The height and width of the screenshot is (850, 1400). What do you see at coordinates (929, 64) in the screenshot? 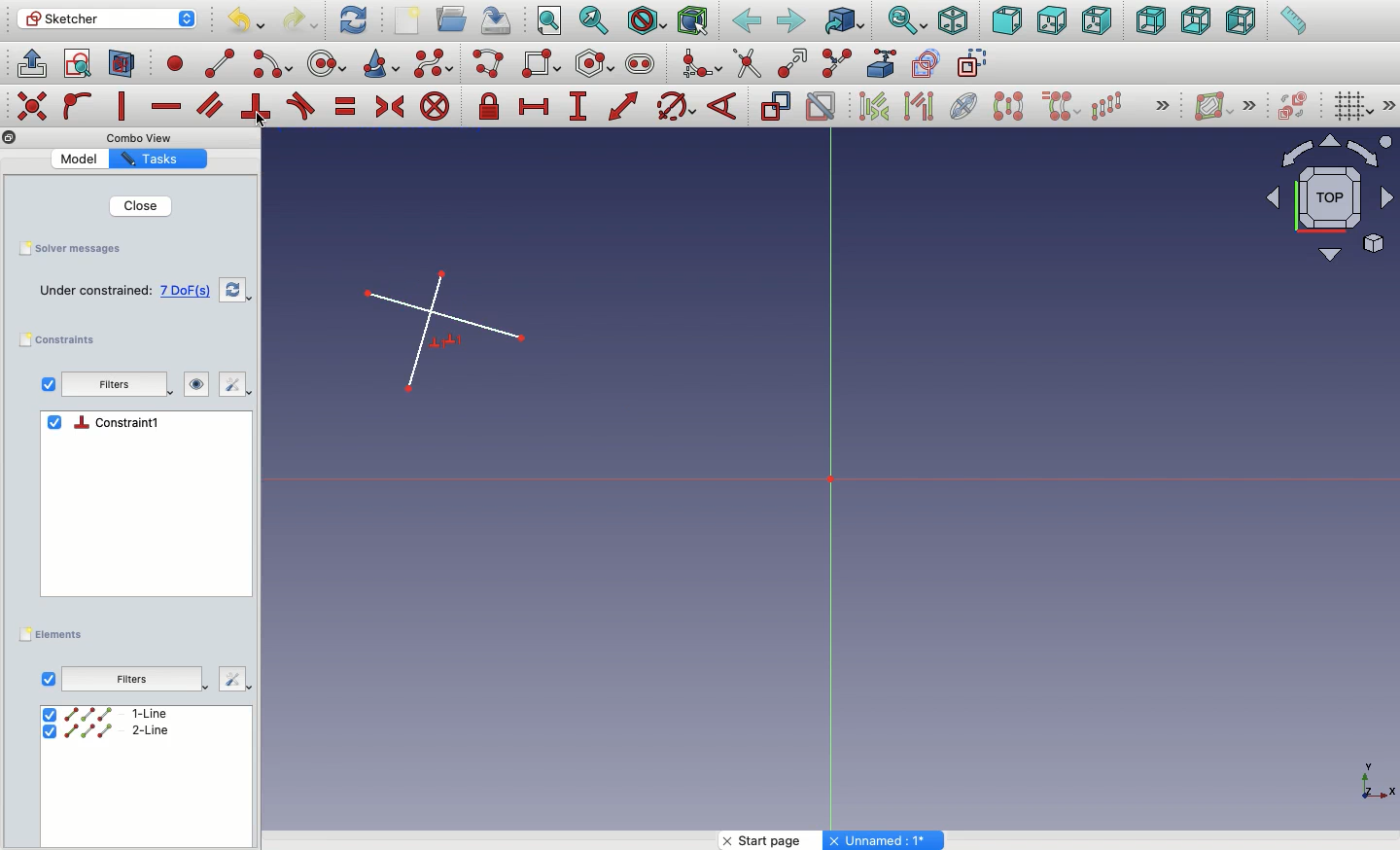
I see `carbon copy` at bounding box center [929, 64].